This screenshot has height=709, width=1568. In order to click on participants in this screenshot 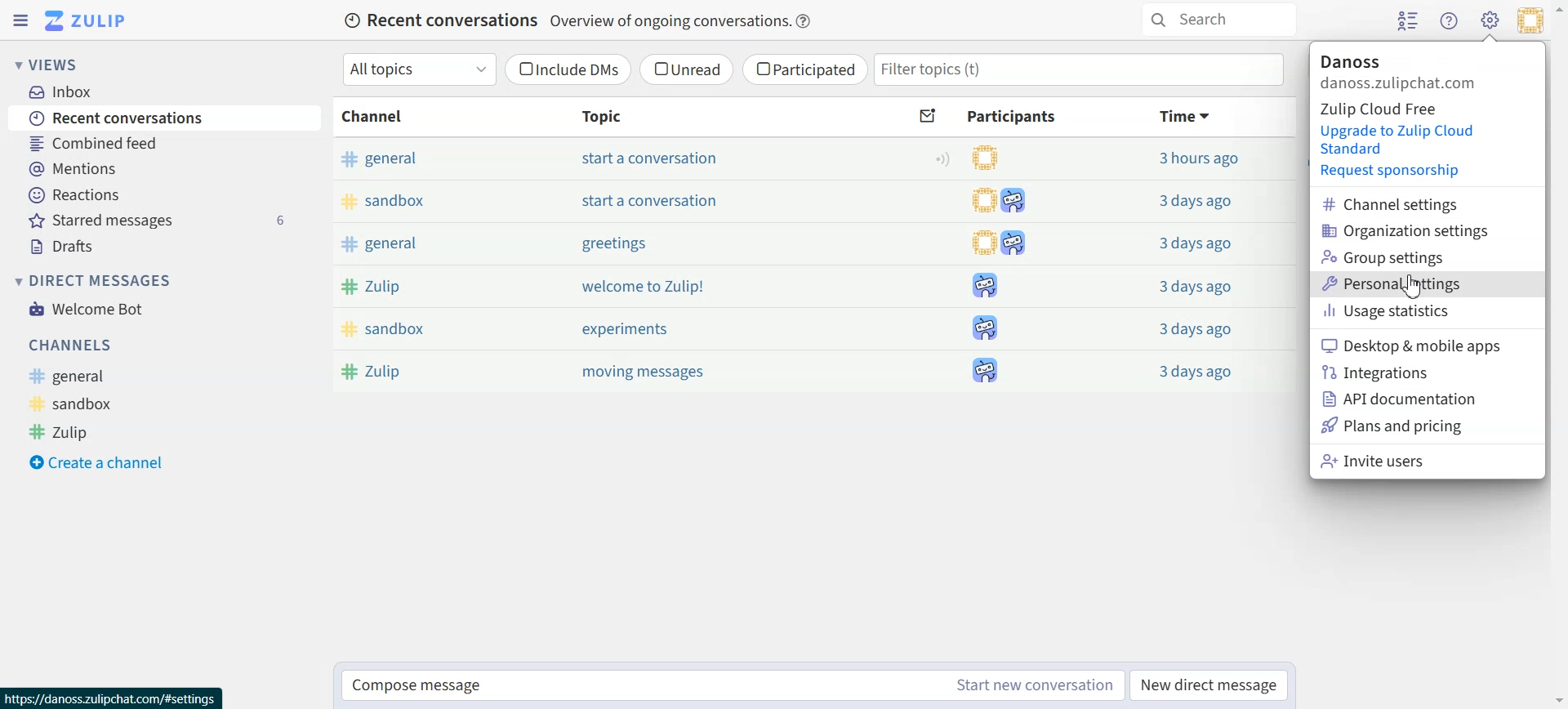, I will do `click(998, 200)`.